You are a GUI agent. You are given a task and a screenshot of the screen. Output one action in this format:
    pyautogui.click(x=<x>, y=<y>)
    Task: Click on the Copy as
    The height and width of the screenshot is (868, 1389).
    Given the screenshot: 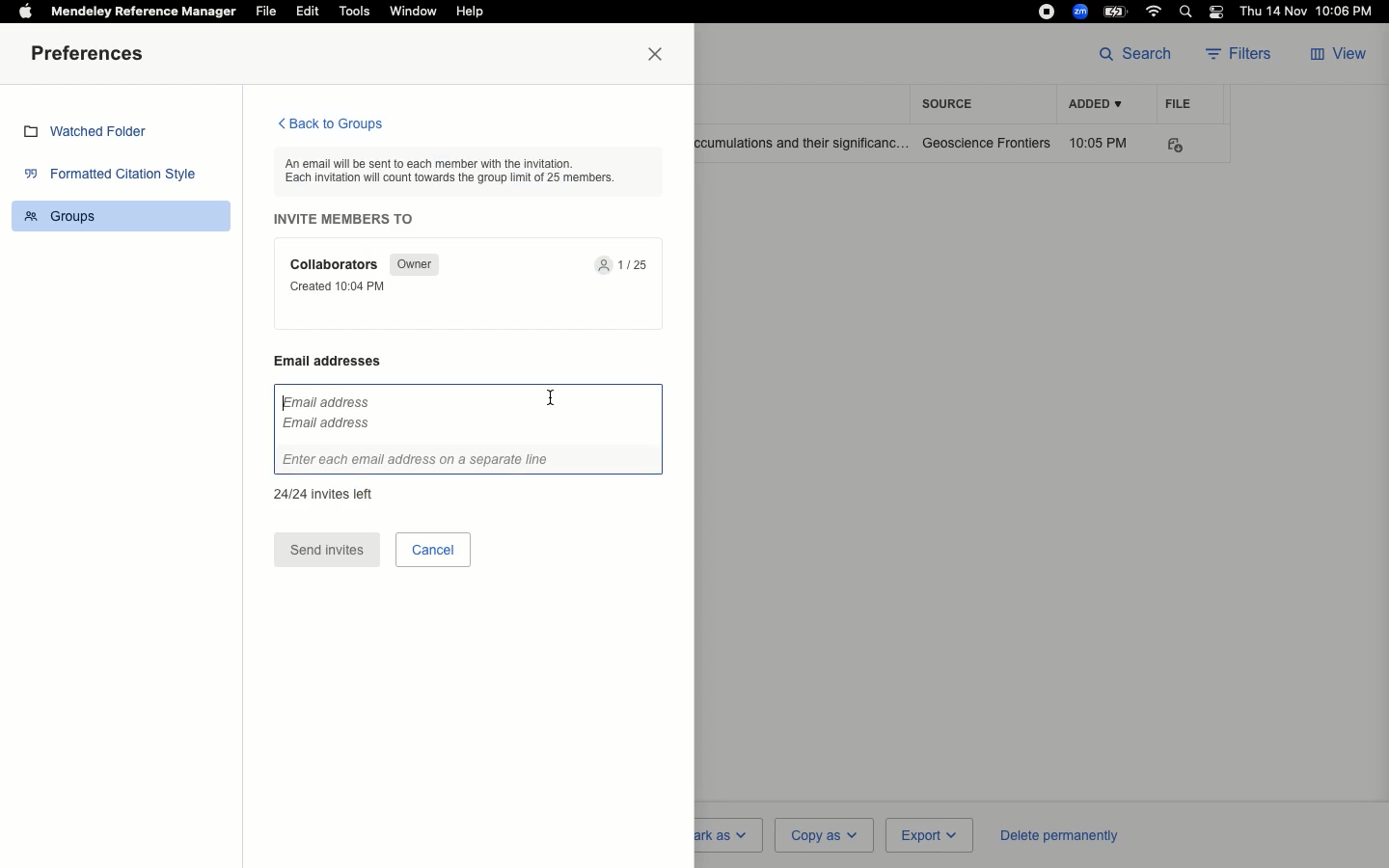 What is the action you would take?
    pyautogui.click(x=823, y=834)
    